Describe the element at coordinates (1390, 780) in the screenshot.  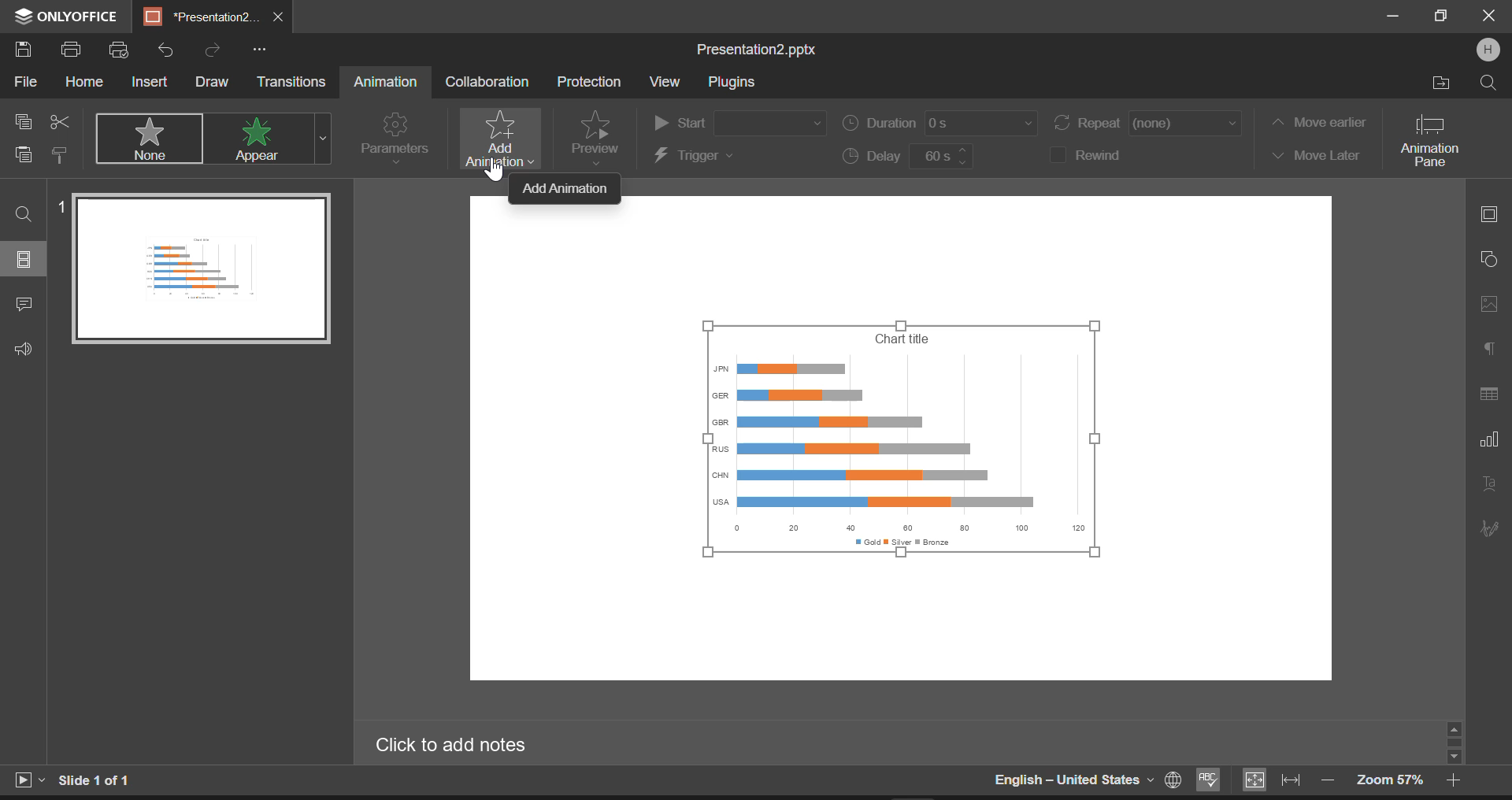
I see `Zoom 57%` at that location.